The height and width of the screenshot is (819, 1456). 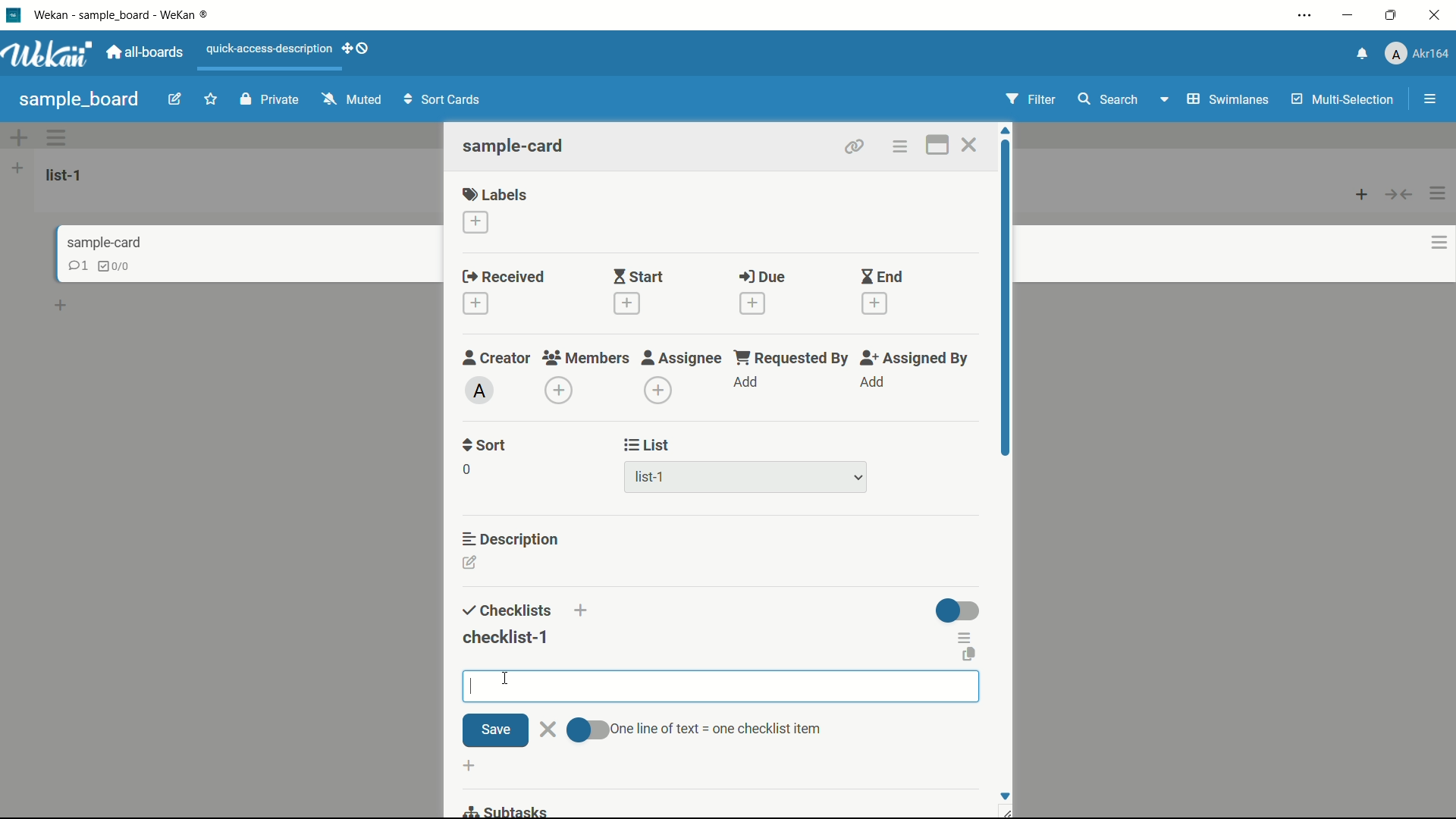 What do you see at coordinates (1429, 98) in the screenshot?
I see `menu` at bounding box center [1429, 98].